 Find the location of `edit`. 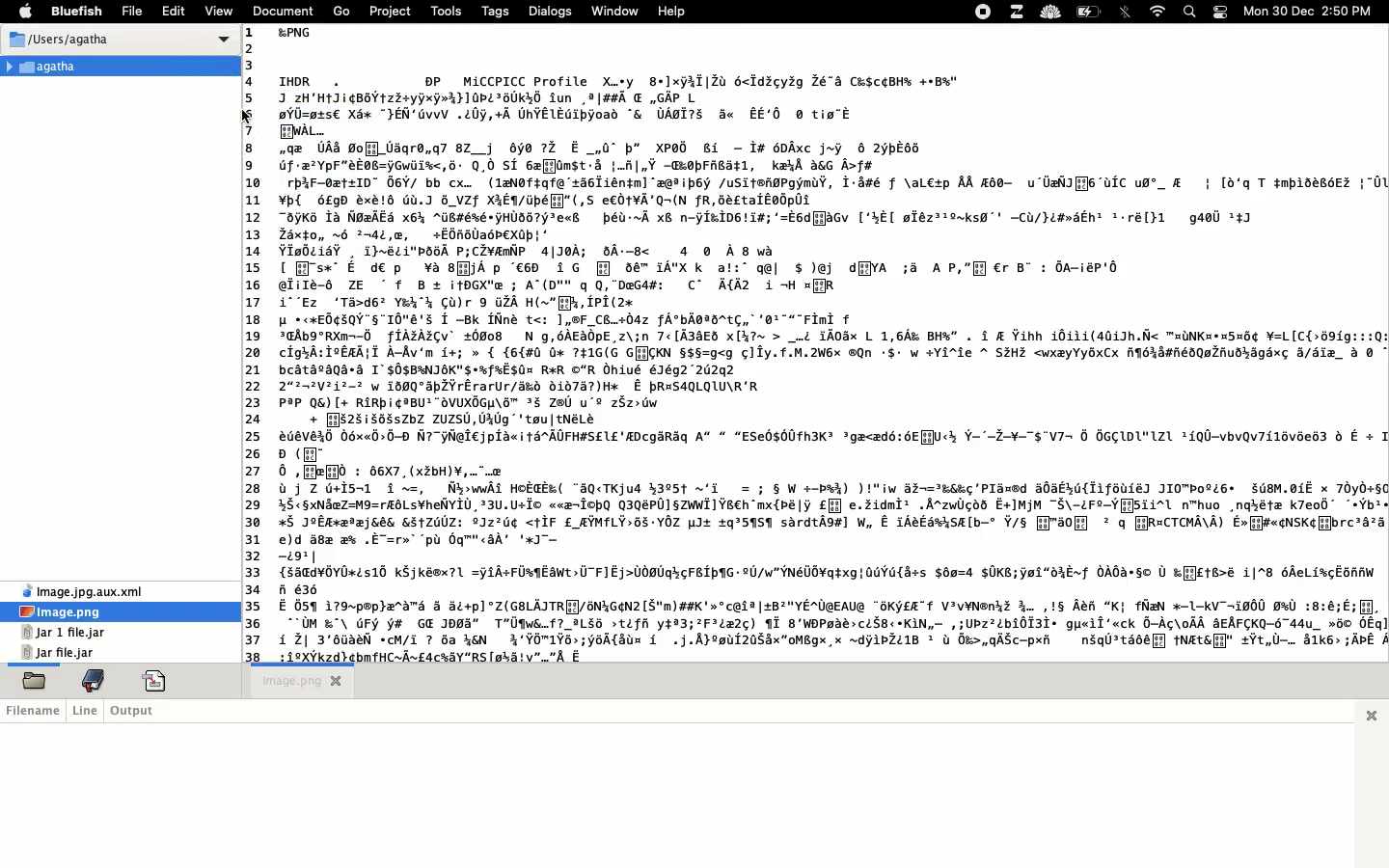

edit is located at coordinates (173, 10).